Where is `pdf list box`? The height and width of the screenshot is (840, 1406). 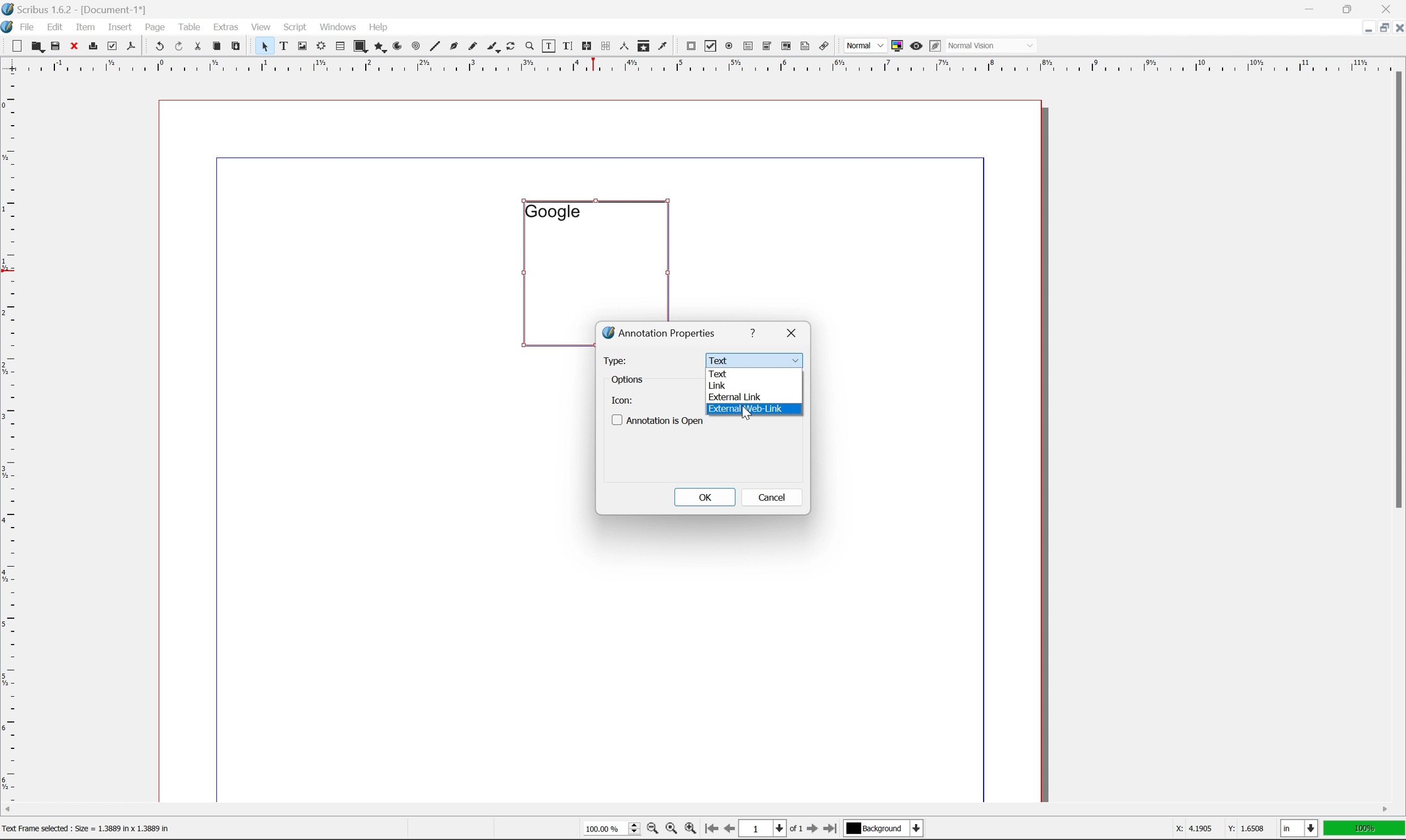 pdf list box is located at coordinates (785, 48).